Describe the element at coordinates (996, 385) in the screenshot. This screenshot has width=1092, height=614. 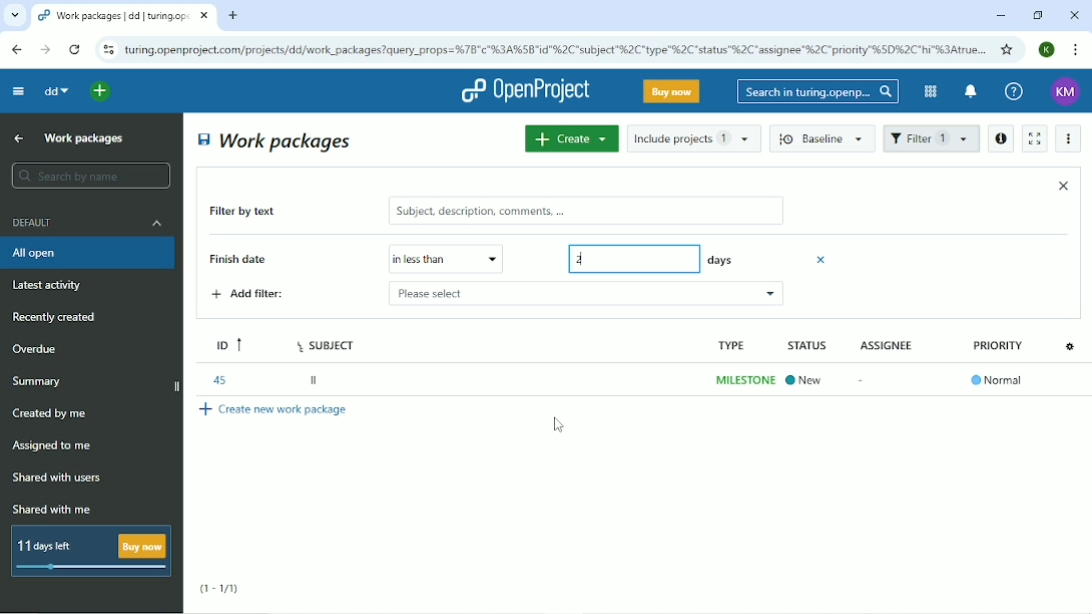
I see `®Normal` at that location.